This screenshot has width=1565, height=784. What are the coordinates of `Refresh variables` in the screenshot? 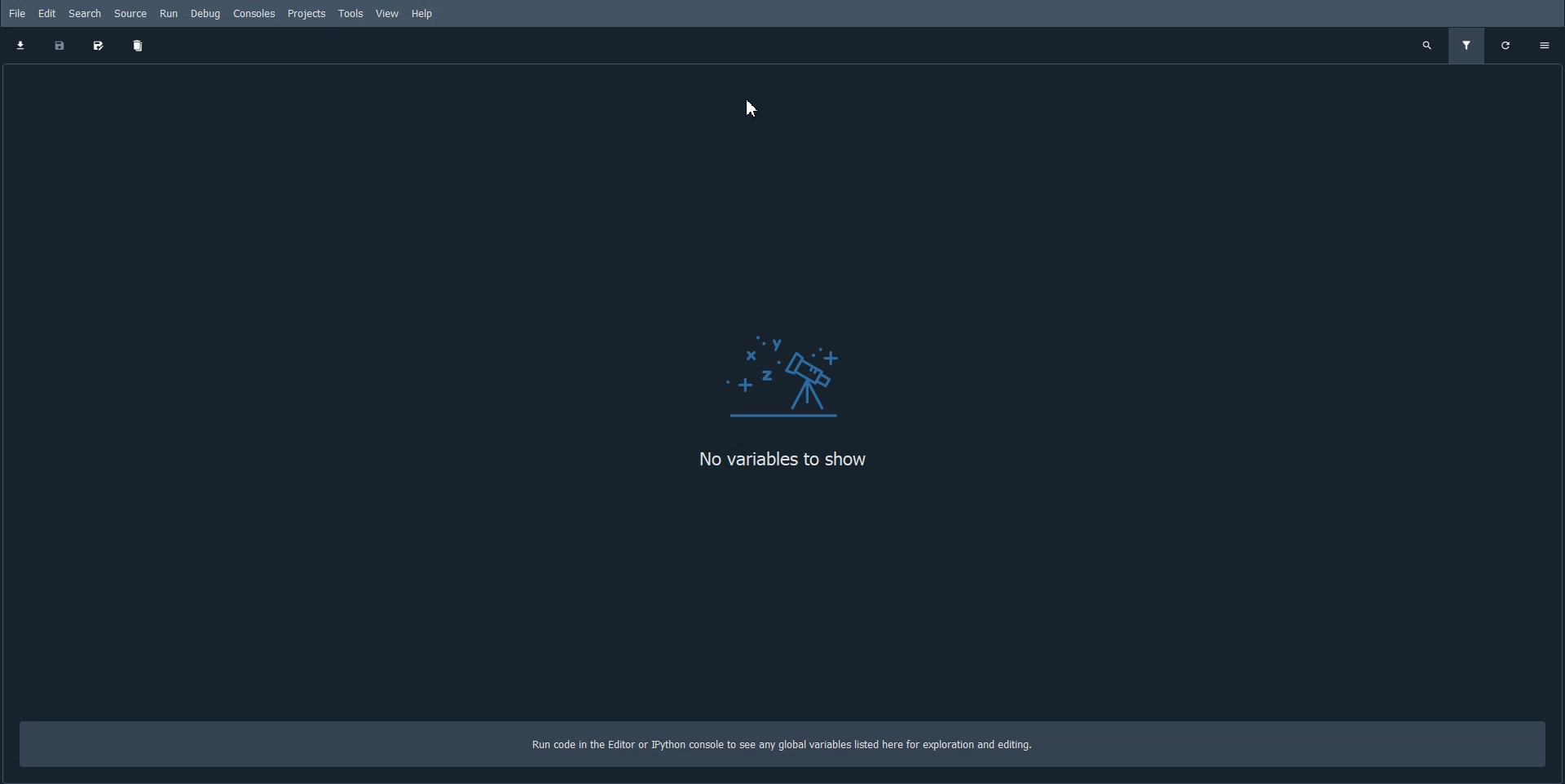 It's located at (1507, 46).